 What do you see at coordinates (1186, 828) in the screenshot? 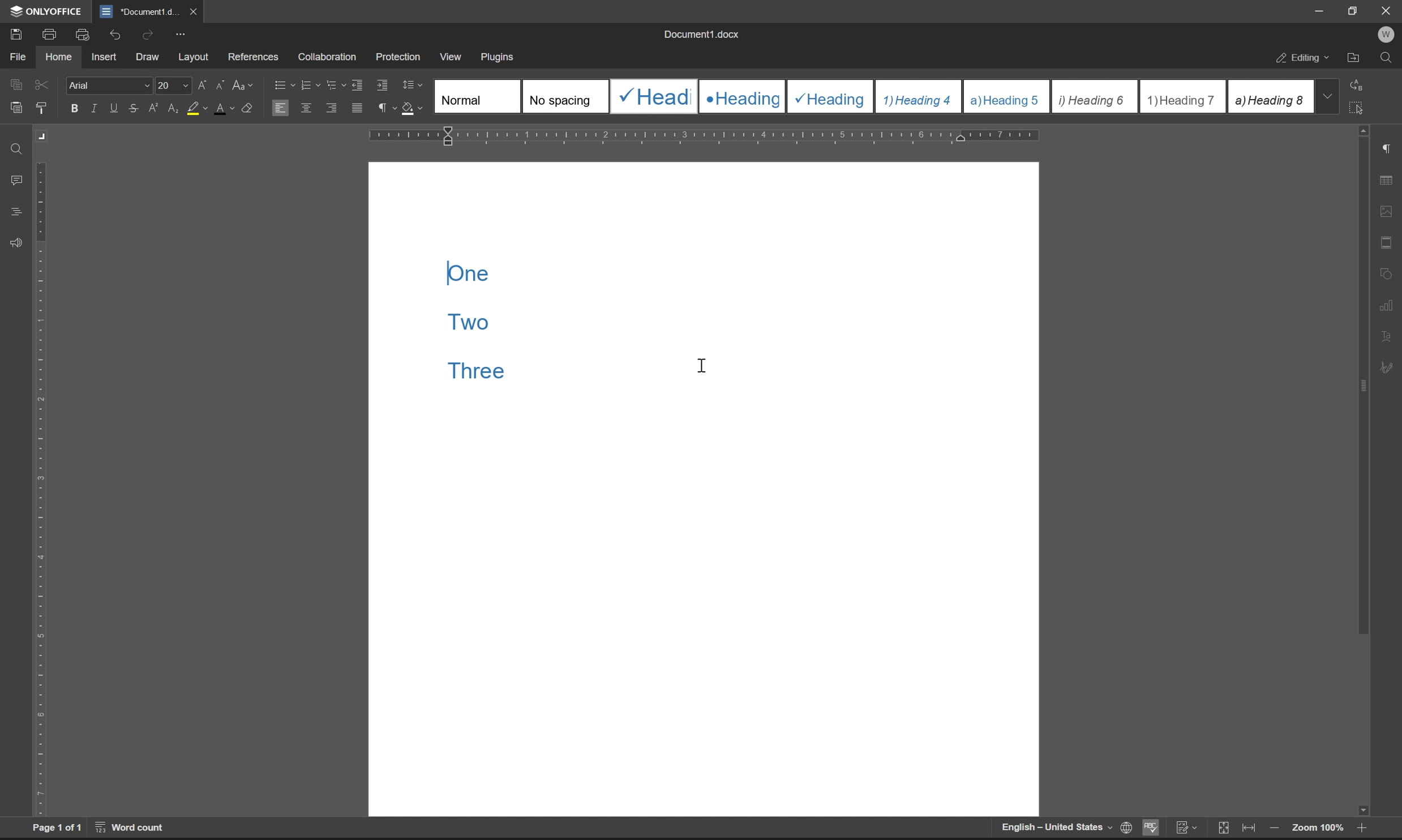
I see `track changes` at bounding box center [1186, 828].